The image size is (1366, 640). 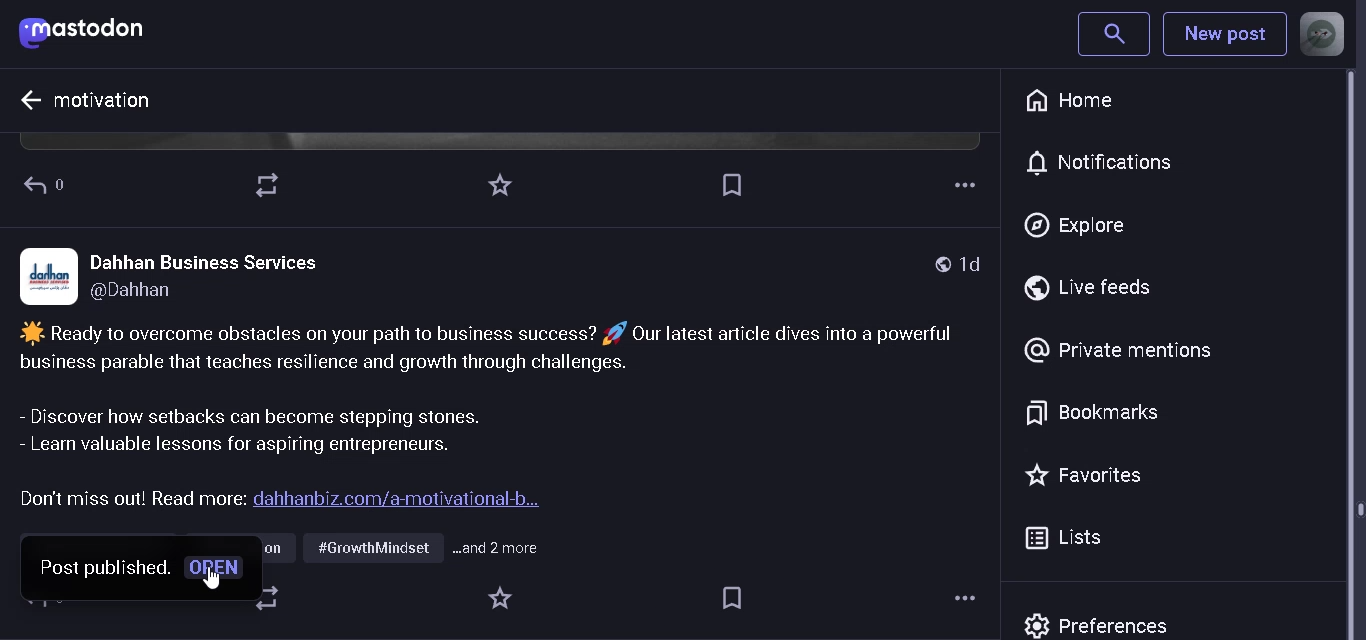 I want to click on prefrences, so click(x=1104, y=622).